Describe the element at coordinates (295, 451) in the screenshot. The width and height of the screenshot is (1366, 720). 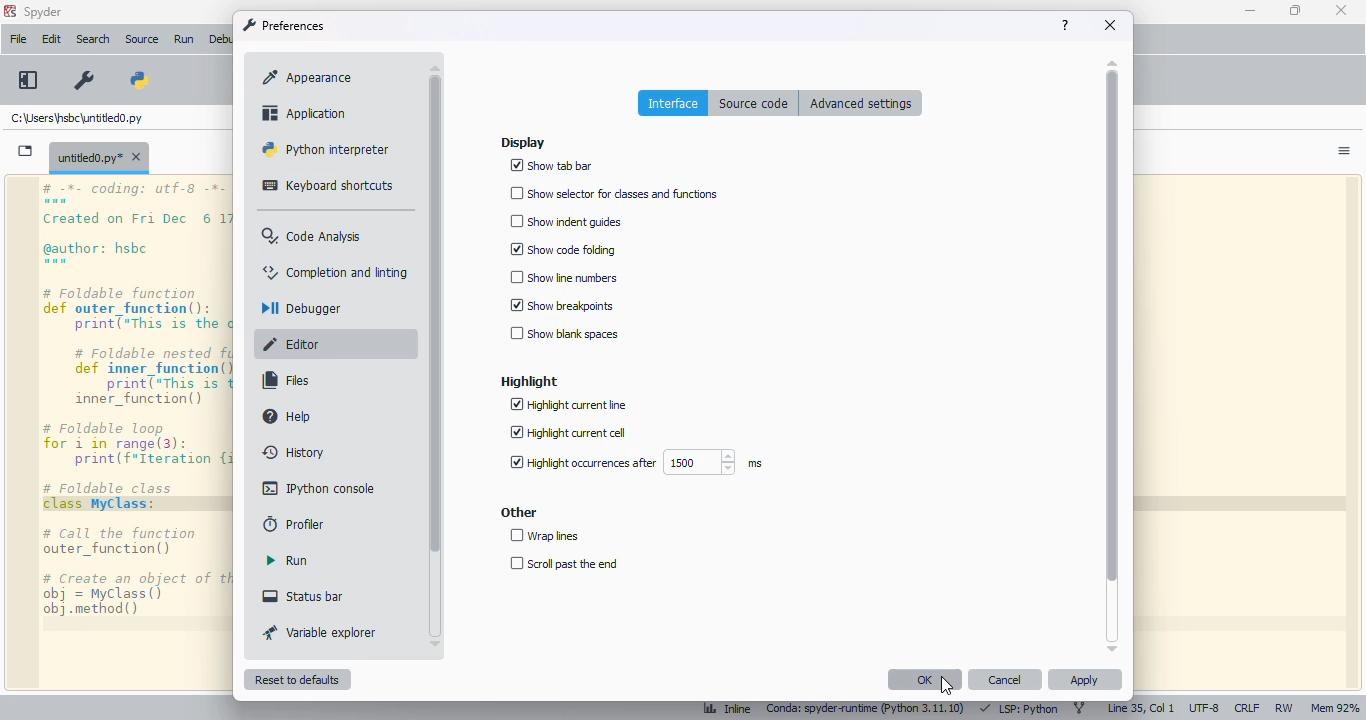
I see `history` at that location.